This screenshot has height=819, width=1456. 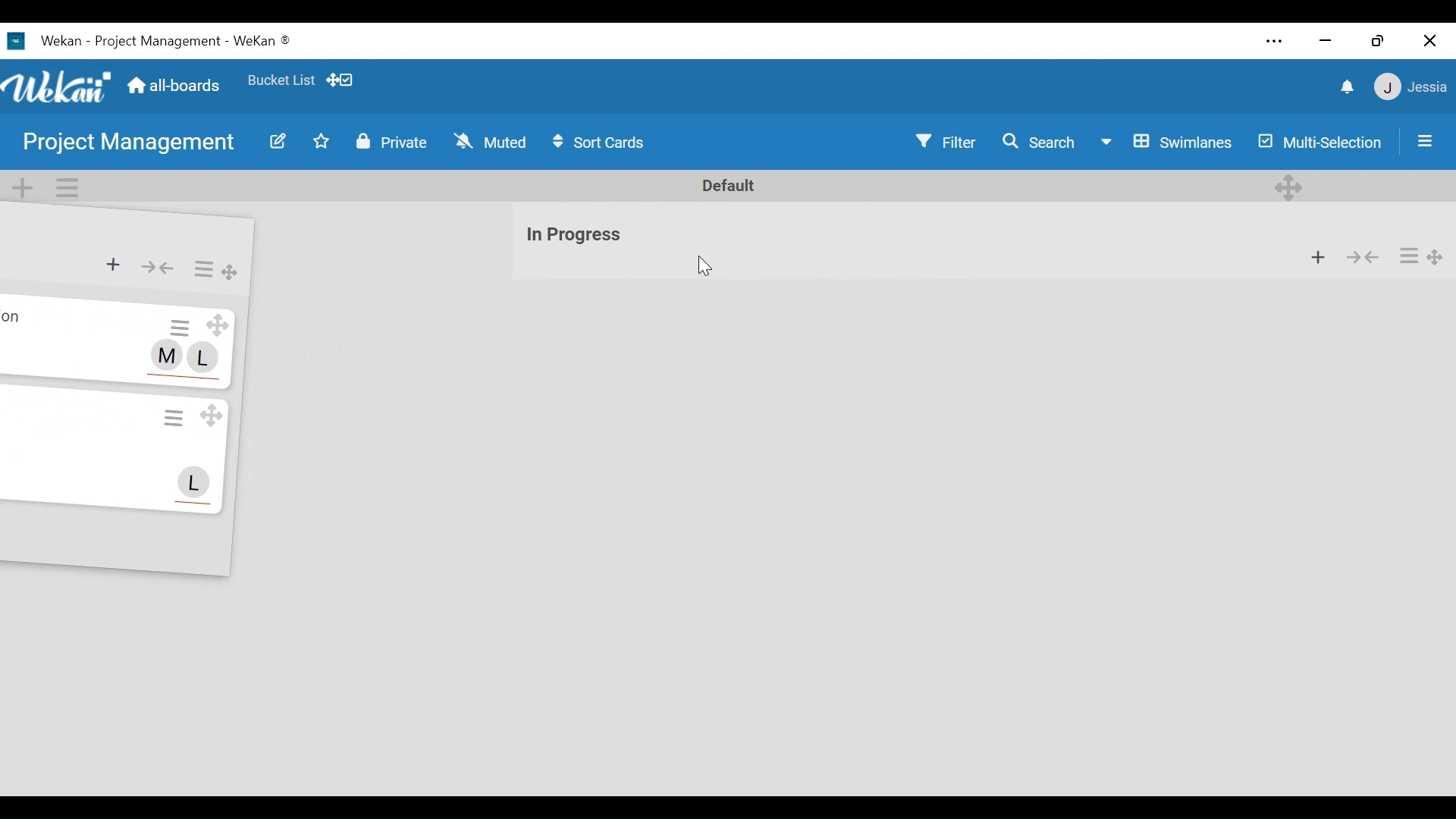 I want to click on Drag Card, so click(x=217, y=325).